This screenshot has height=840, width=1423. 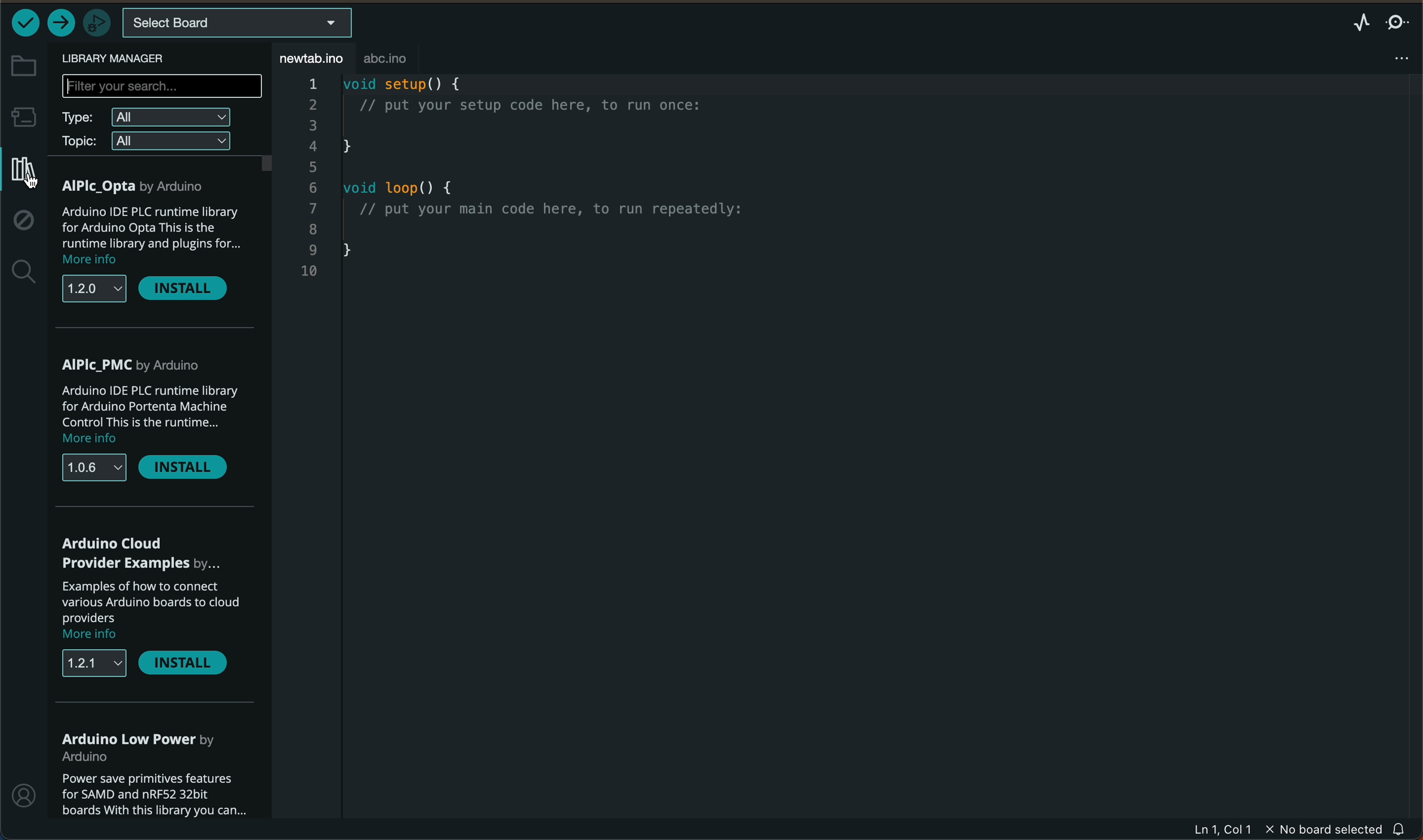 I want to click on serial monitor, so click(x=1398, y=23).